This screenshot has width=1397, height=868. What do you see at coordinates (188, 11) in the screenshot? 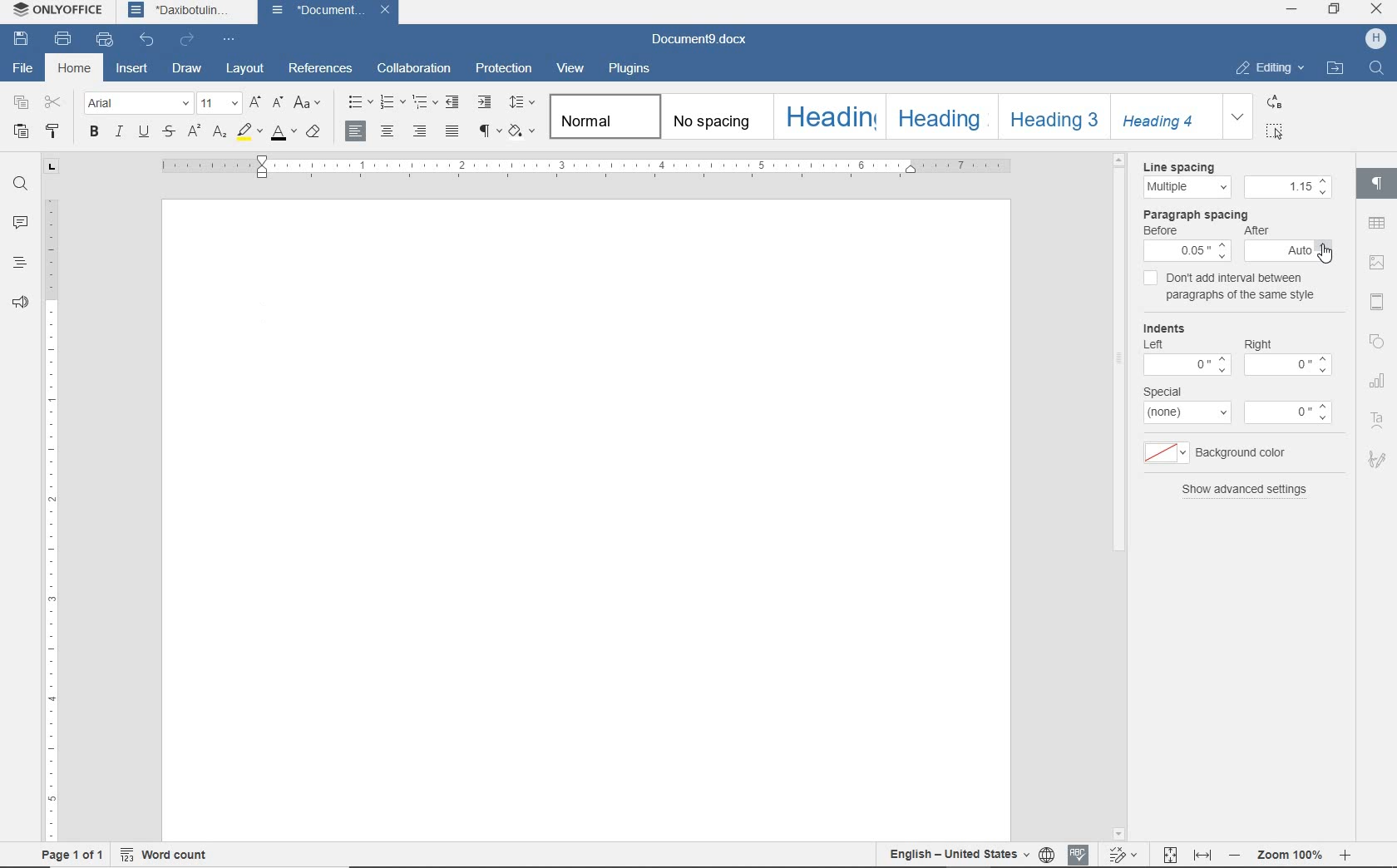
I see `Daxibotulin...` at bounding box center [188, 11].